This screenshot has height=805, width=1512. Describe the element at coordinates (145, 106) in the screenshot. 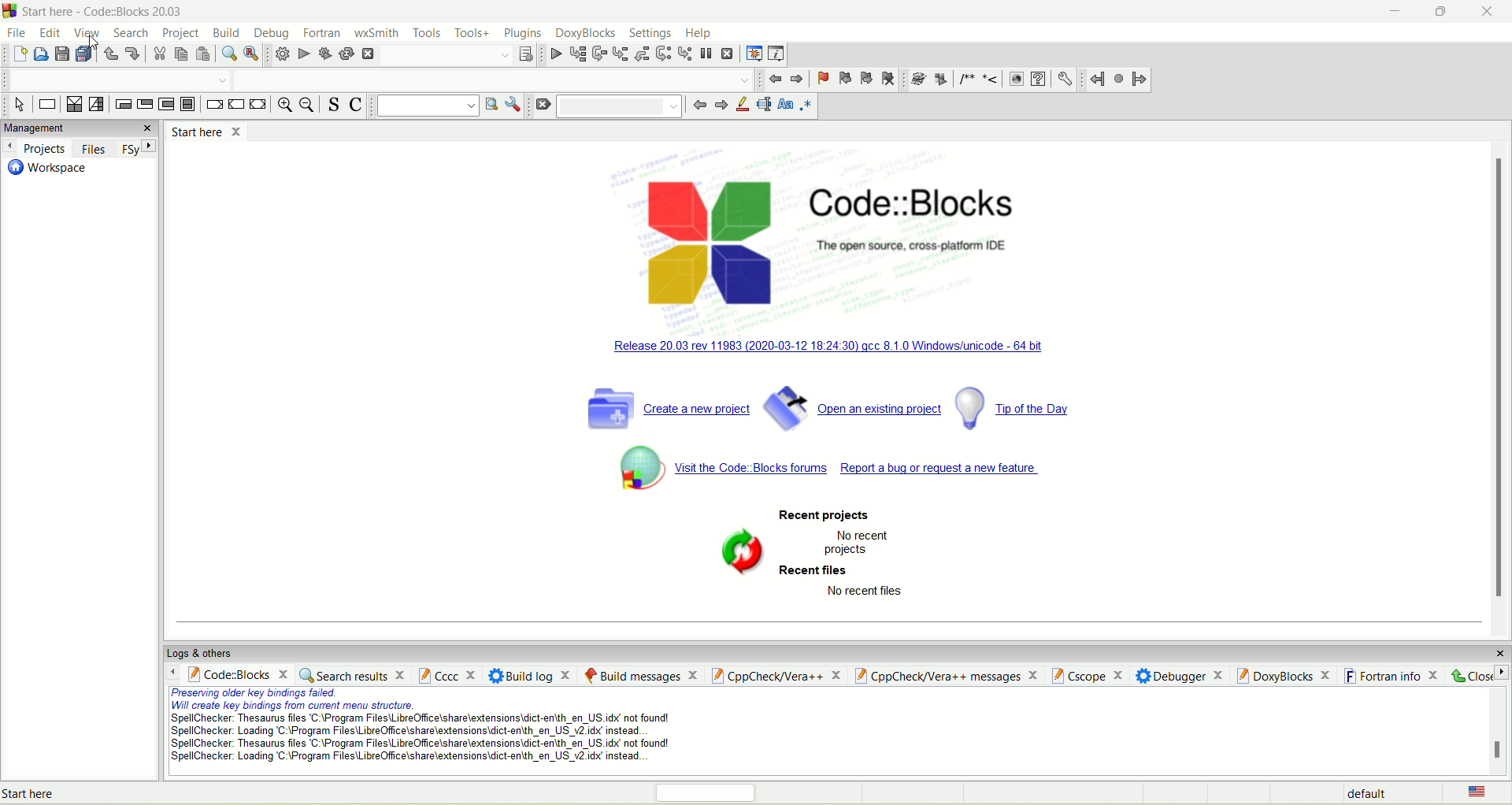

I see `exit condition loop` at that location.